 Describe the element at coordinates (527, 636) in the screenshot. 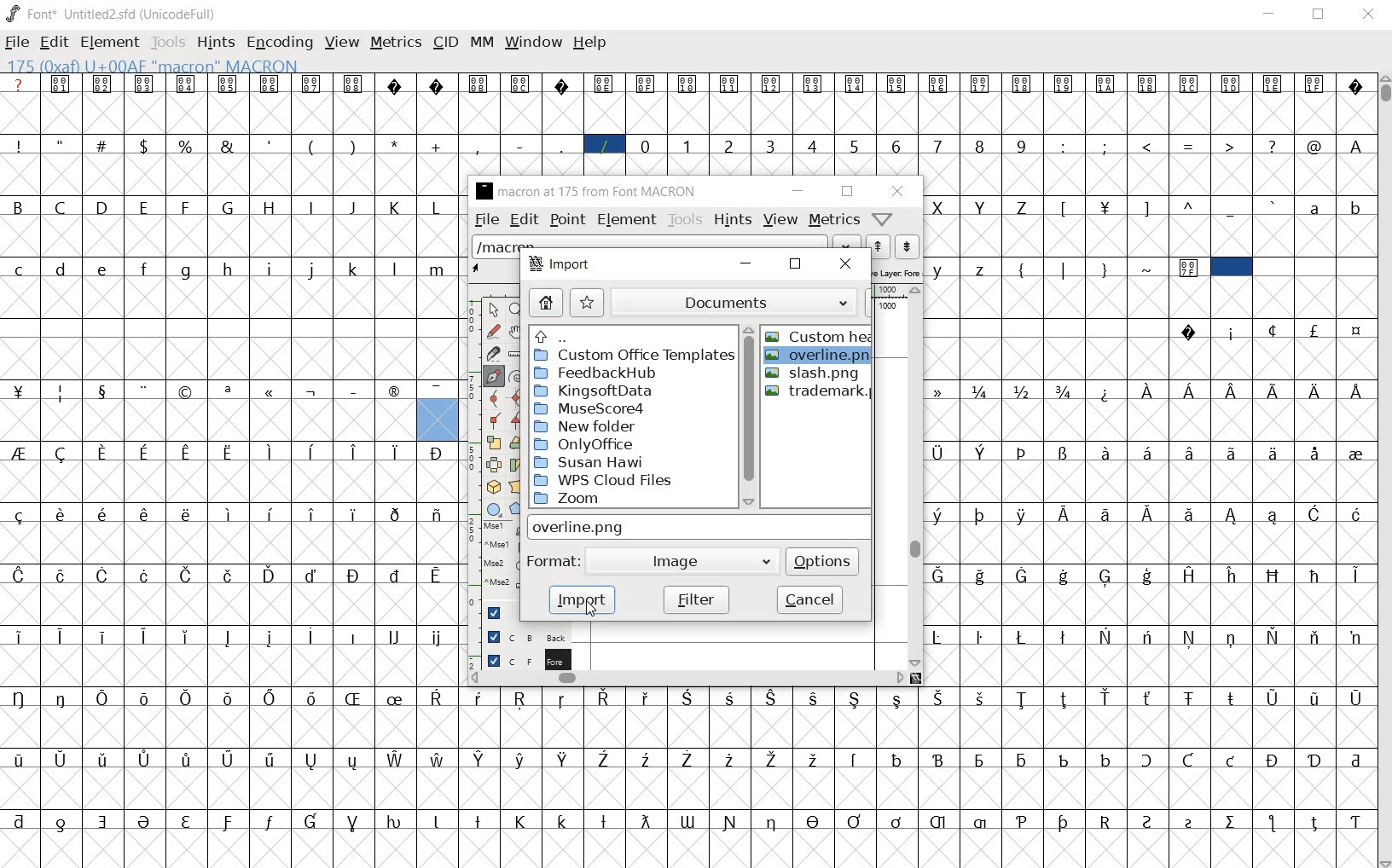

I see `background layer` at that location.